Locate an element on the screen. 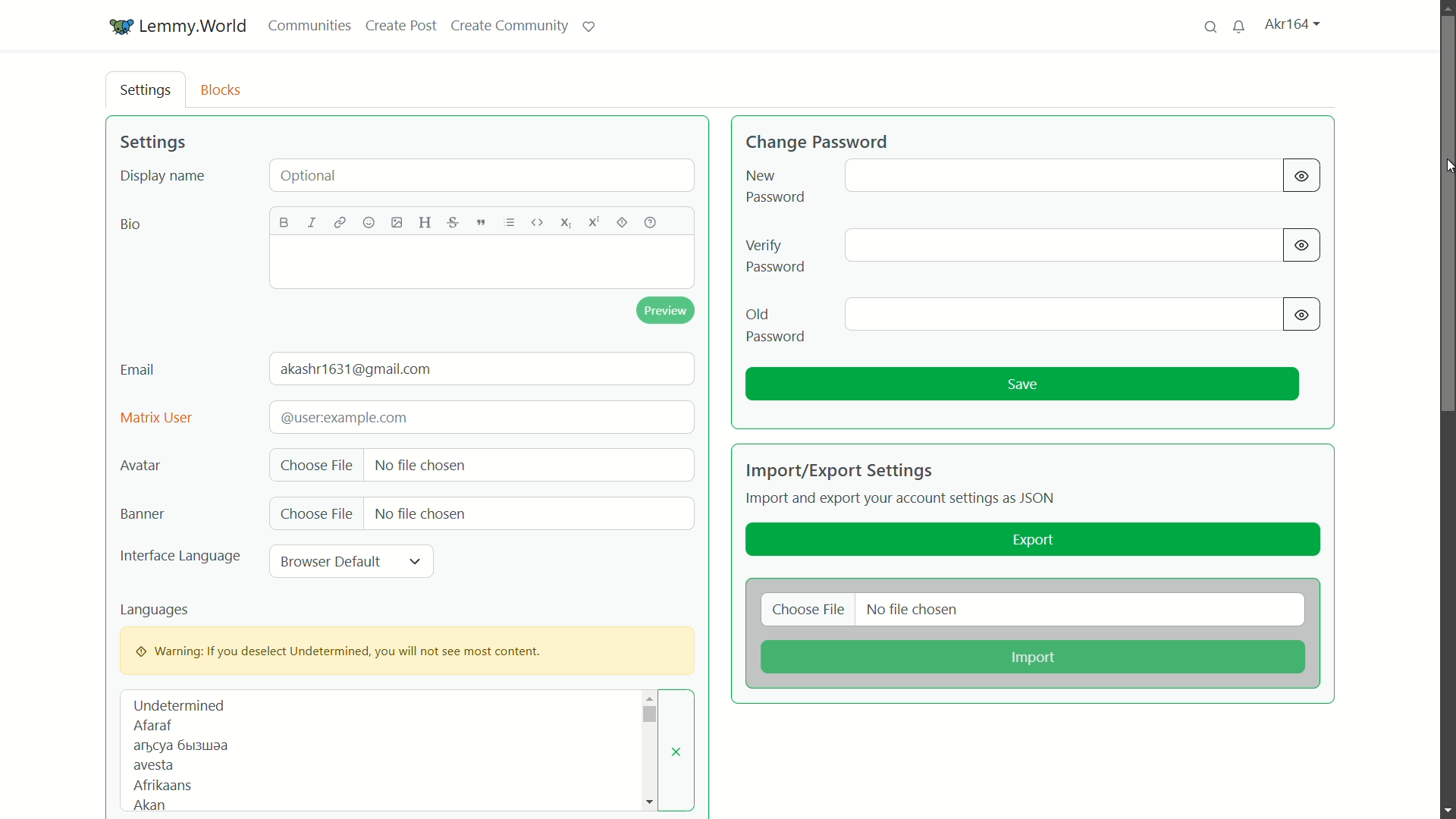  export is located at coordinates (1031, 540).